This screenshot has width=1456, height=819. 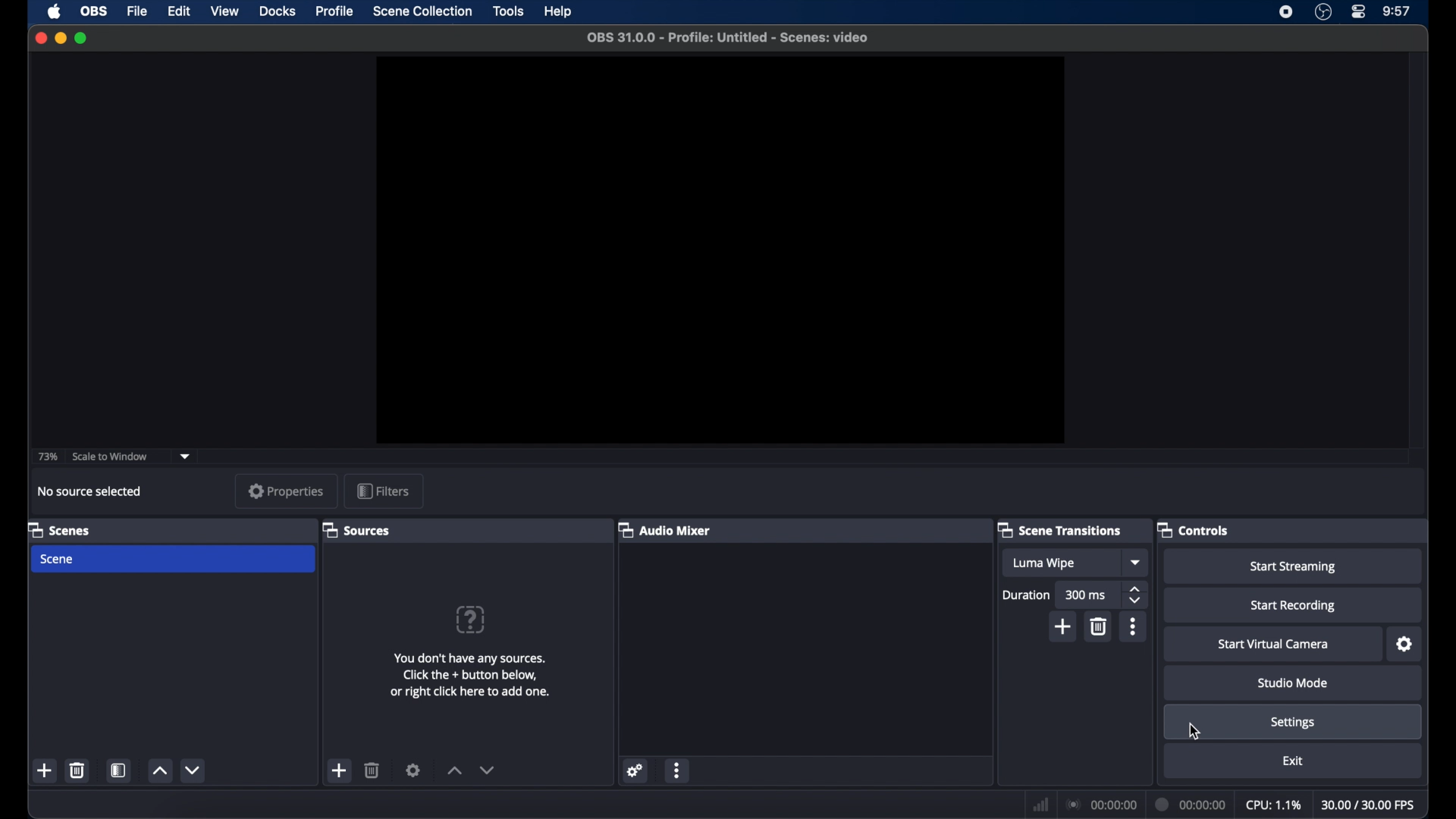 I want to click on apple icon, so click(x=56, y=11).